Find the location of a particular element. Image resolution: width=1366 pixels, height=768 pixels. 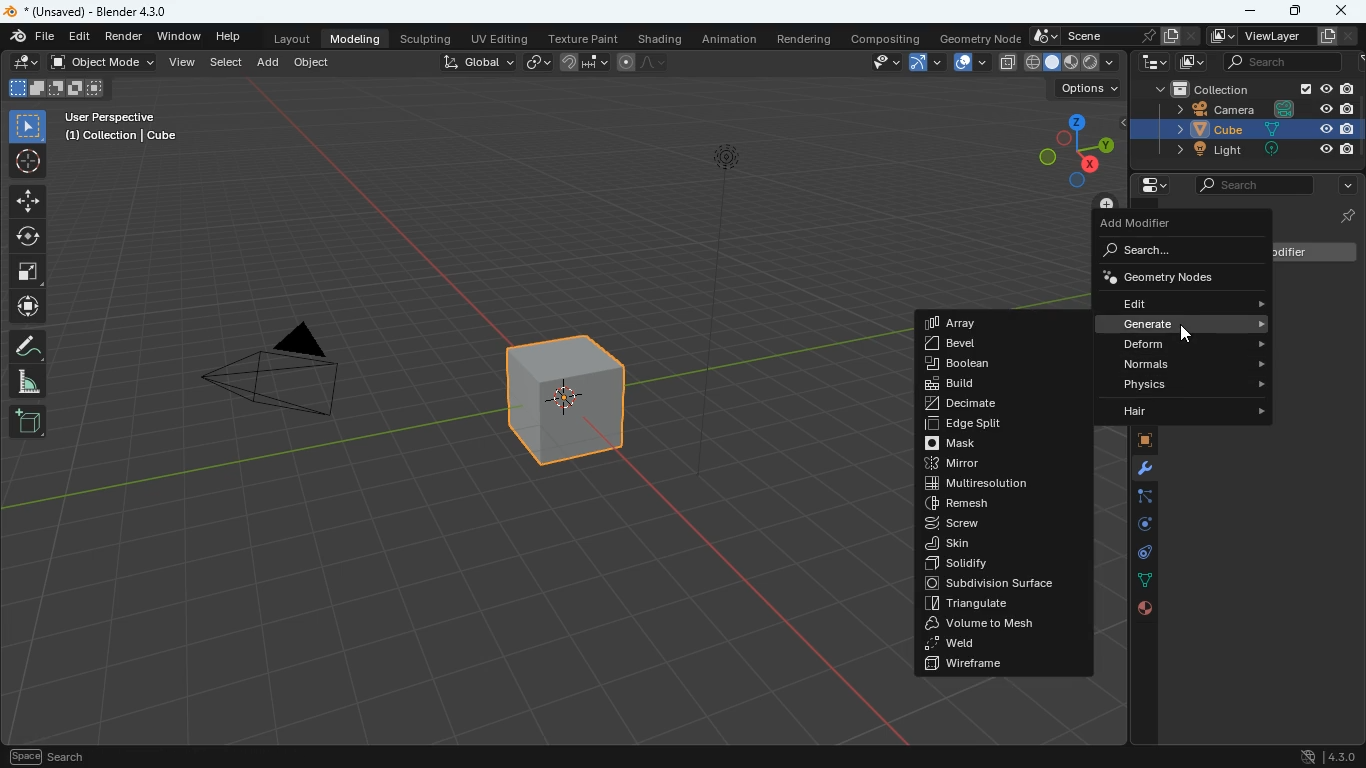

pin is located at coordinates (1344, 215).